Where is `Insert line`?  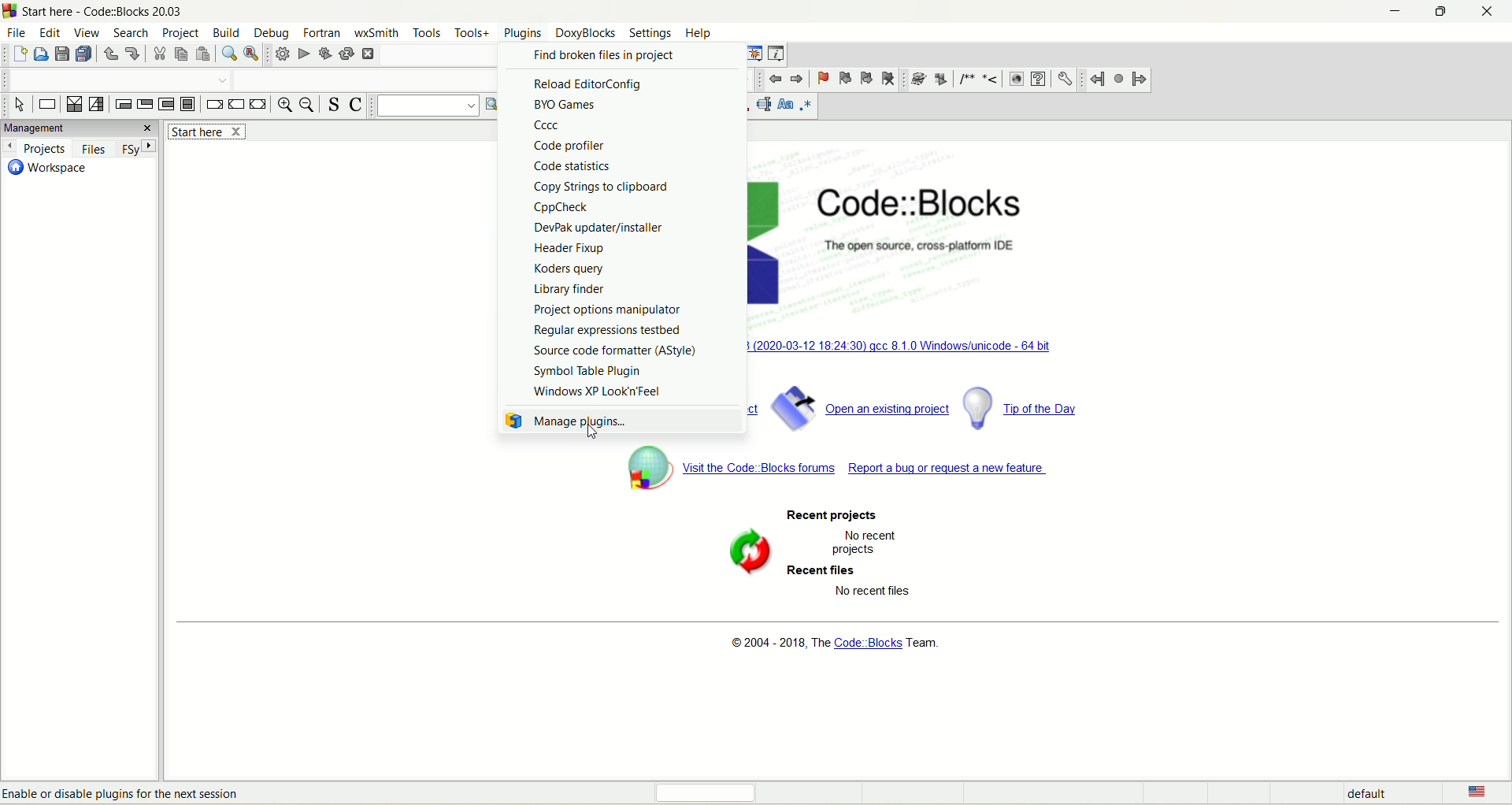
Insert line is located at coordinates (991, 80).